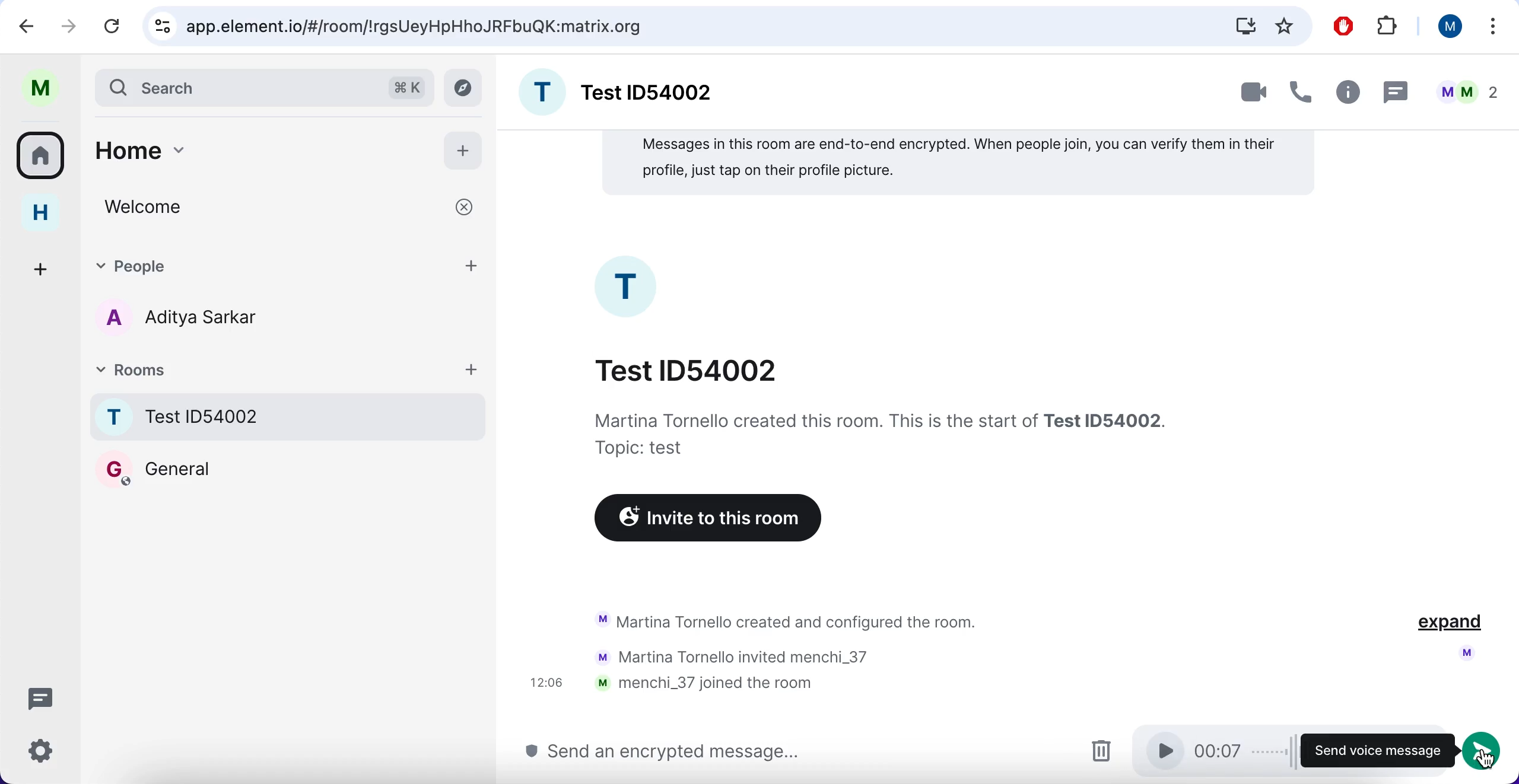  Describe the element at coordinates (418, 27) in the screenshot. I see `google search` at that location.